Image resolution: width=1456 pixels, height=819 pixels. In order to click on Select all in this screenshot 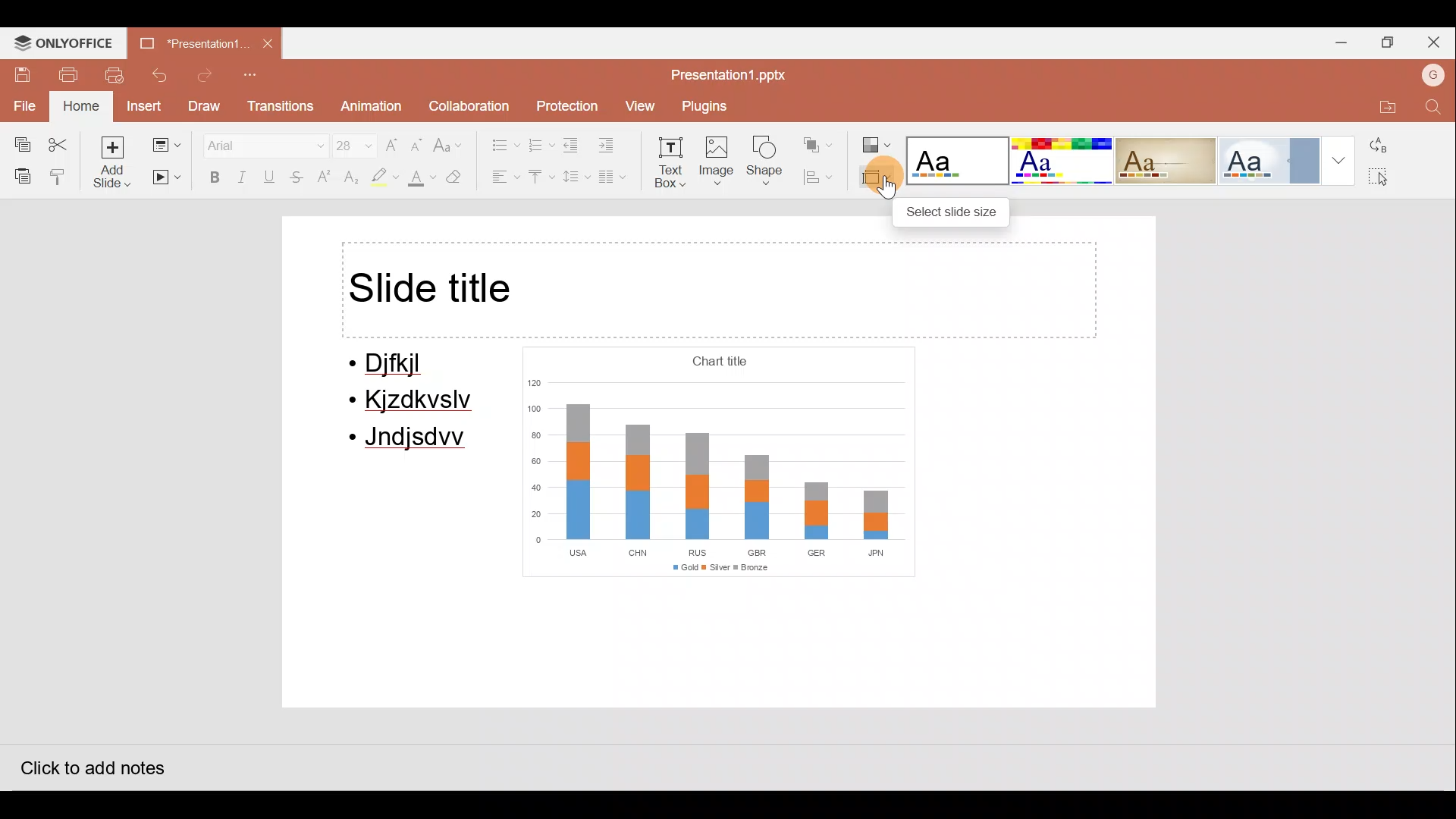, I will do `click(1392, 178)`.